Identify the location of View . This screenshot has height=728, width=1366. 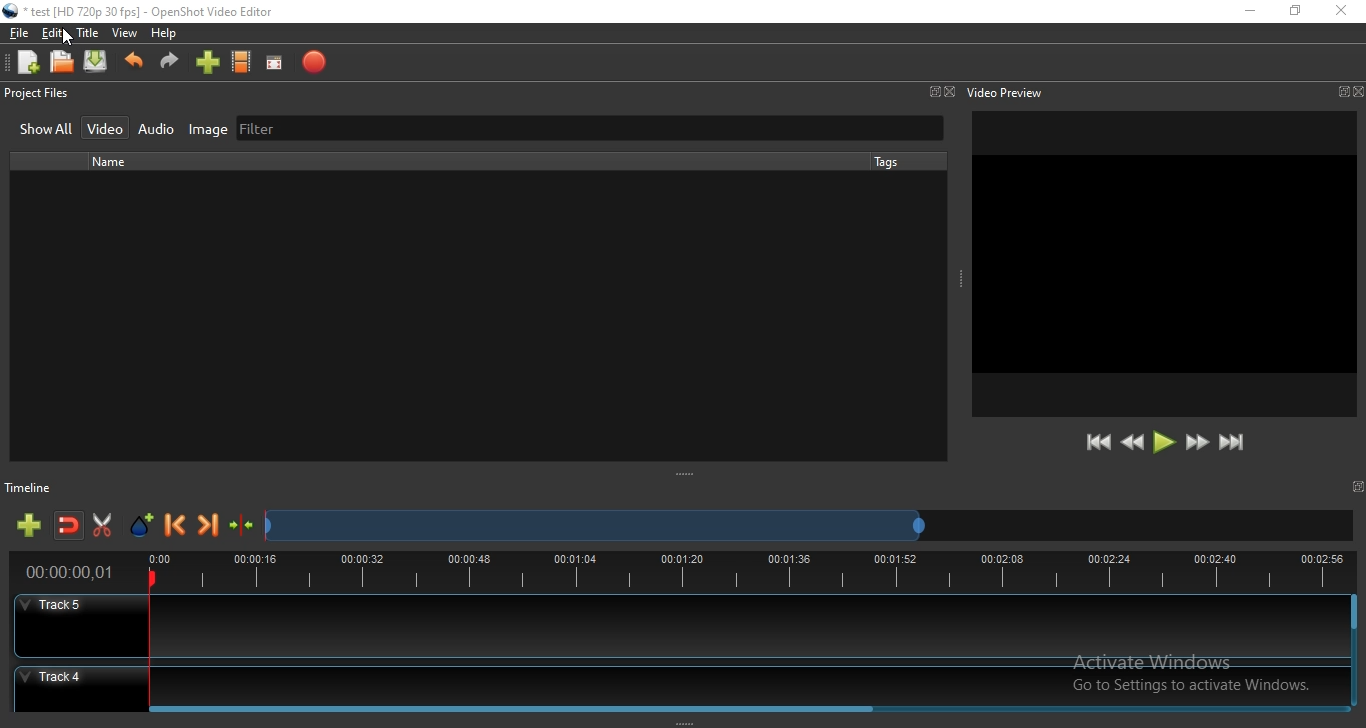
(125, 34).